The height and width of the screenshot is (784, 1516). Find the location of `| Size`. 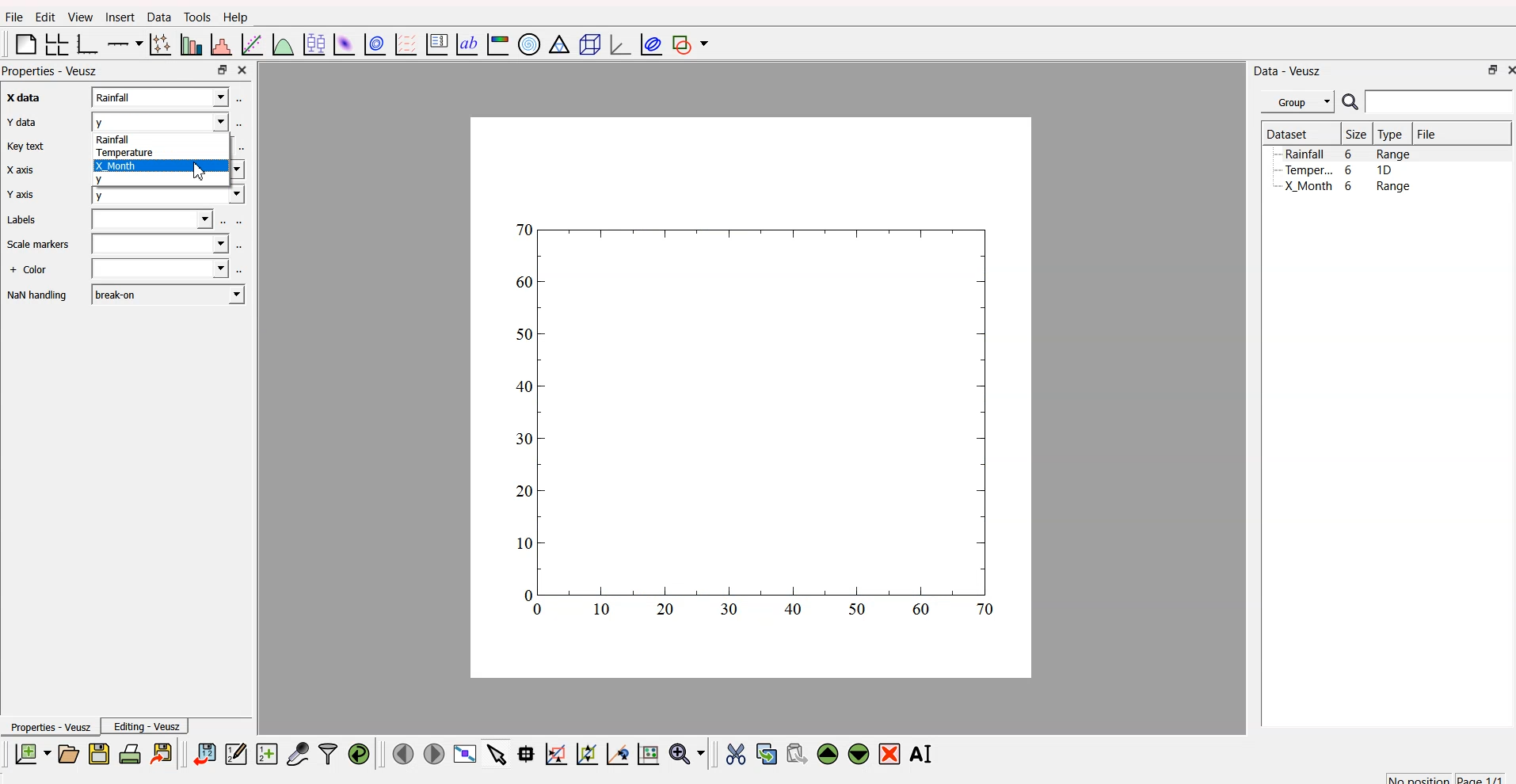

| Size is located at coordinates (1354, 135).